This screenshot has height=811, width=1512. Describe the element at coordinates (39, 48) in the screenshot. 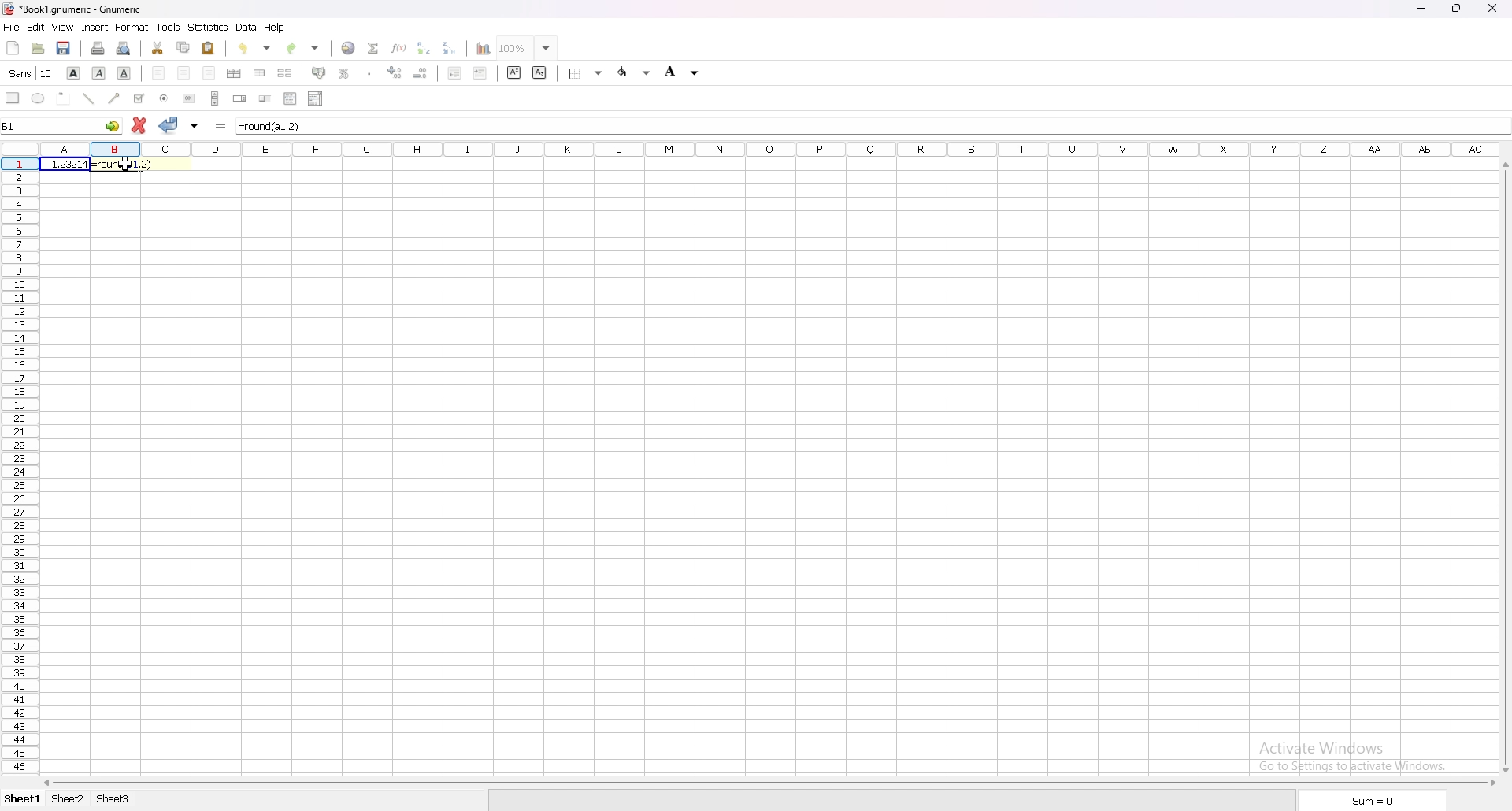

I see `open` at that location.